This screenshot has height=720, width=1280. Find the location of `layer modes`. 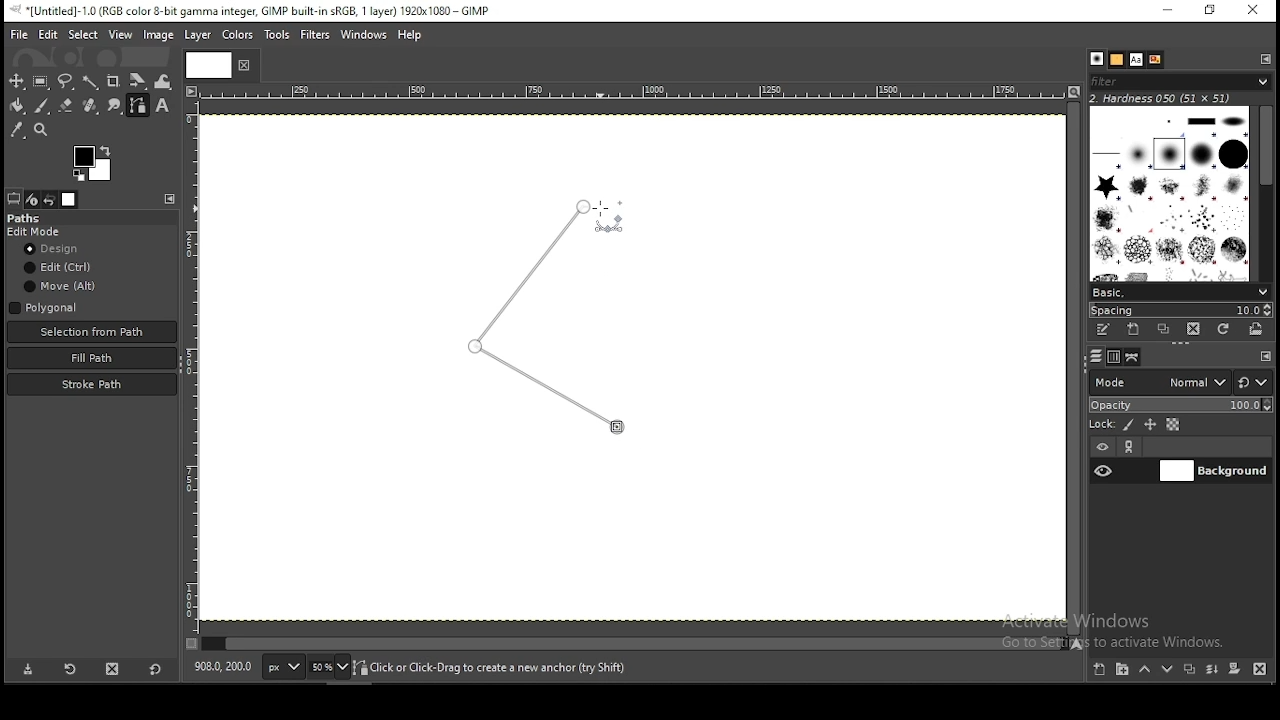

layer modes is located at coordinates (1159, 382).